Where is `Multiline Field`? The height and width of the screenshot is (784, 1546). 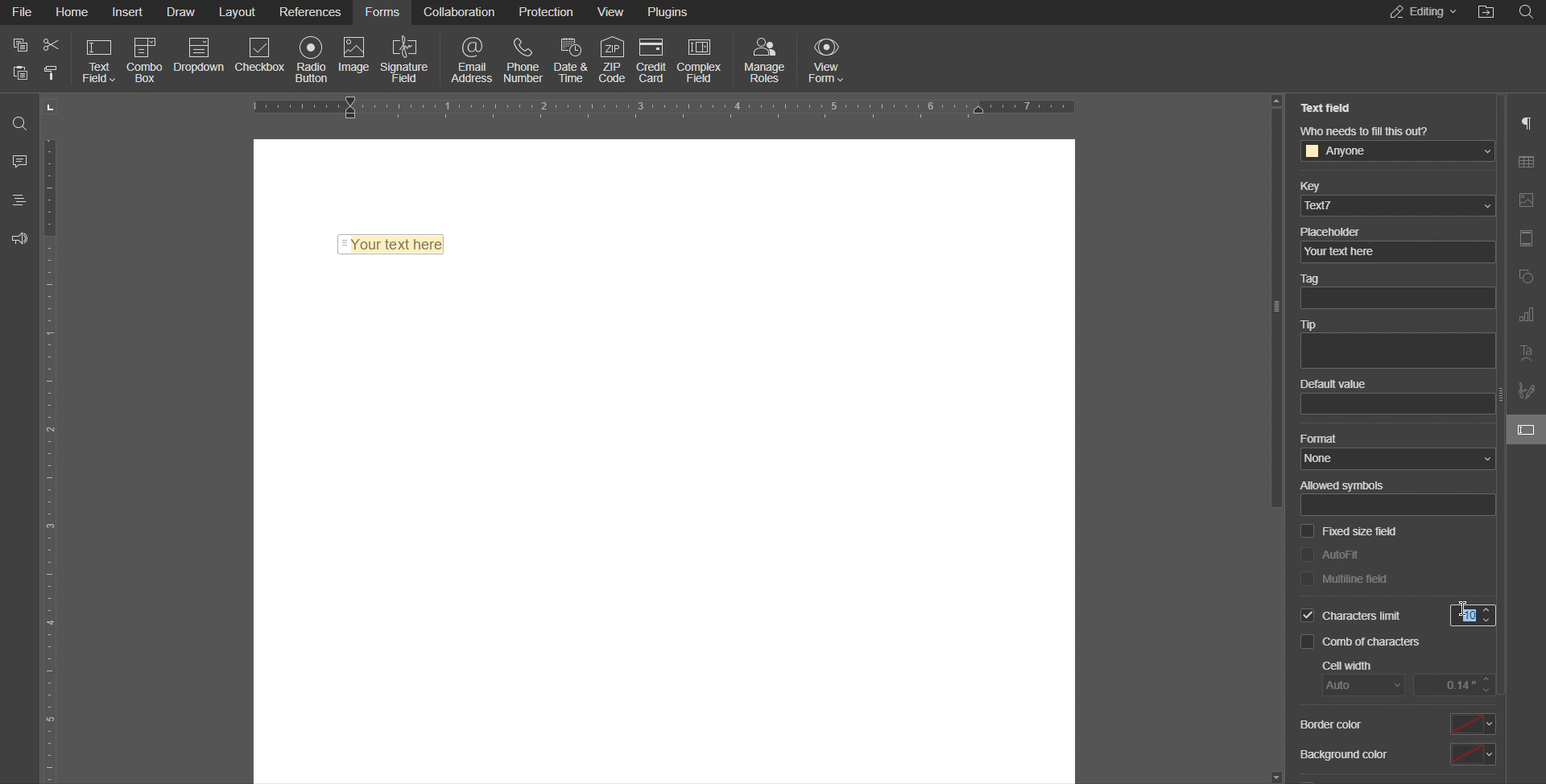 Multiline Field is located at coordinates (1344, 580).